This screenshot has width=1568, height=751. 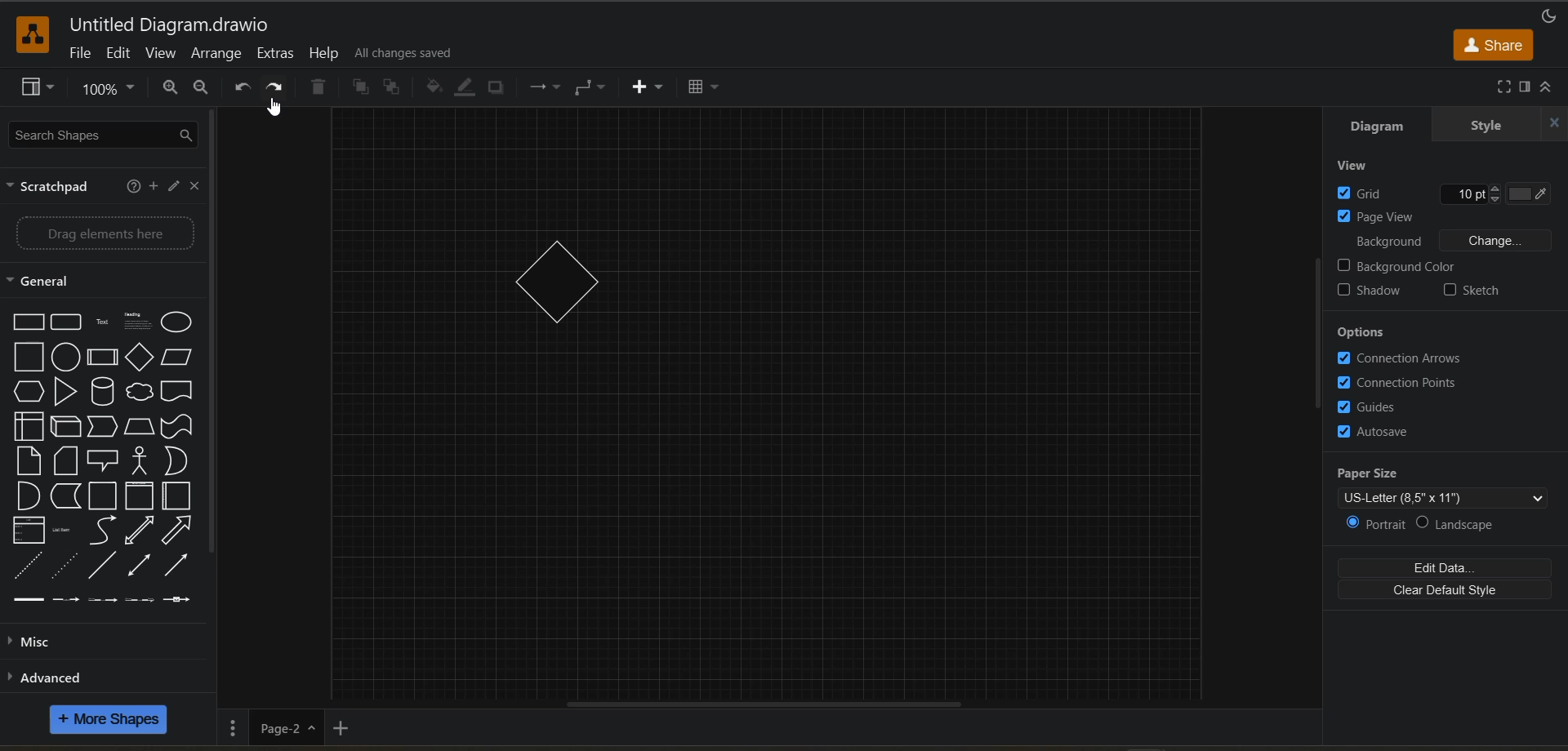 What do you see at coordinates (199, 87) in the screenshot?
I see `zoom out` at bounding box center [199, 87].